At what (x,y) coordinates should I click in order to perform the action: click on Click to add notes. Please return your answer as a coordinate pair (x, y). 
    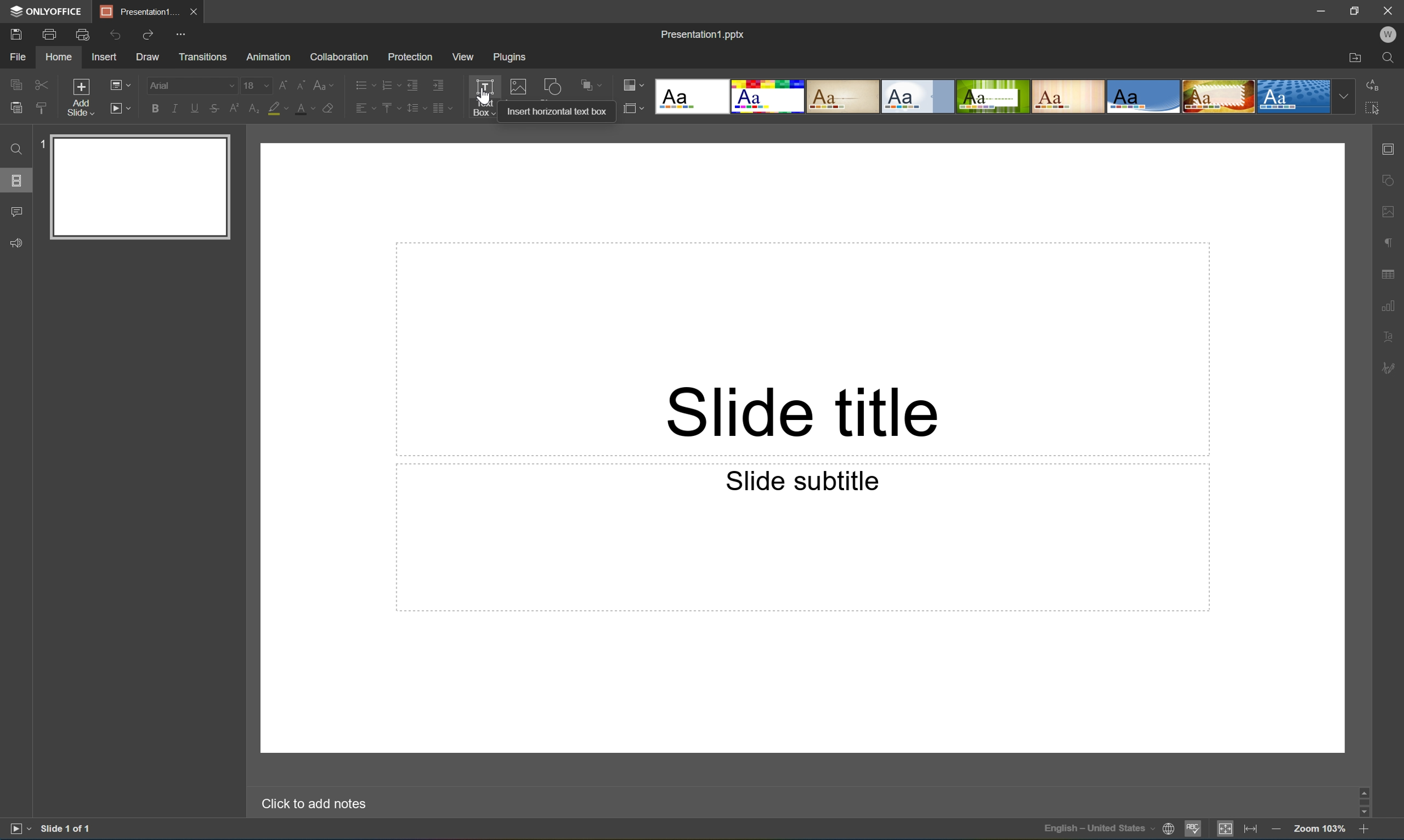
    Looking at the image, I should click on (311, 802).